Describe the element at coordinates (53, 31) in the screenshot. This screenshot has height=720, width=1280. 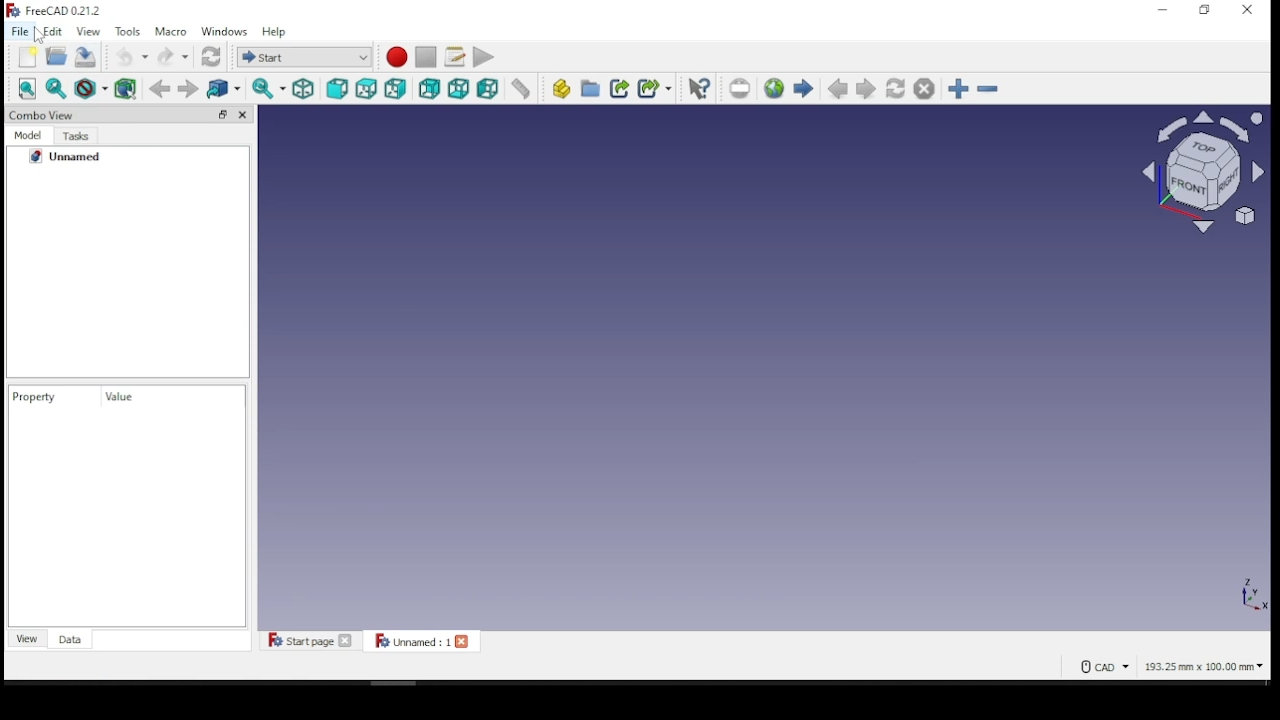
I see `edit` at that location.